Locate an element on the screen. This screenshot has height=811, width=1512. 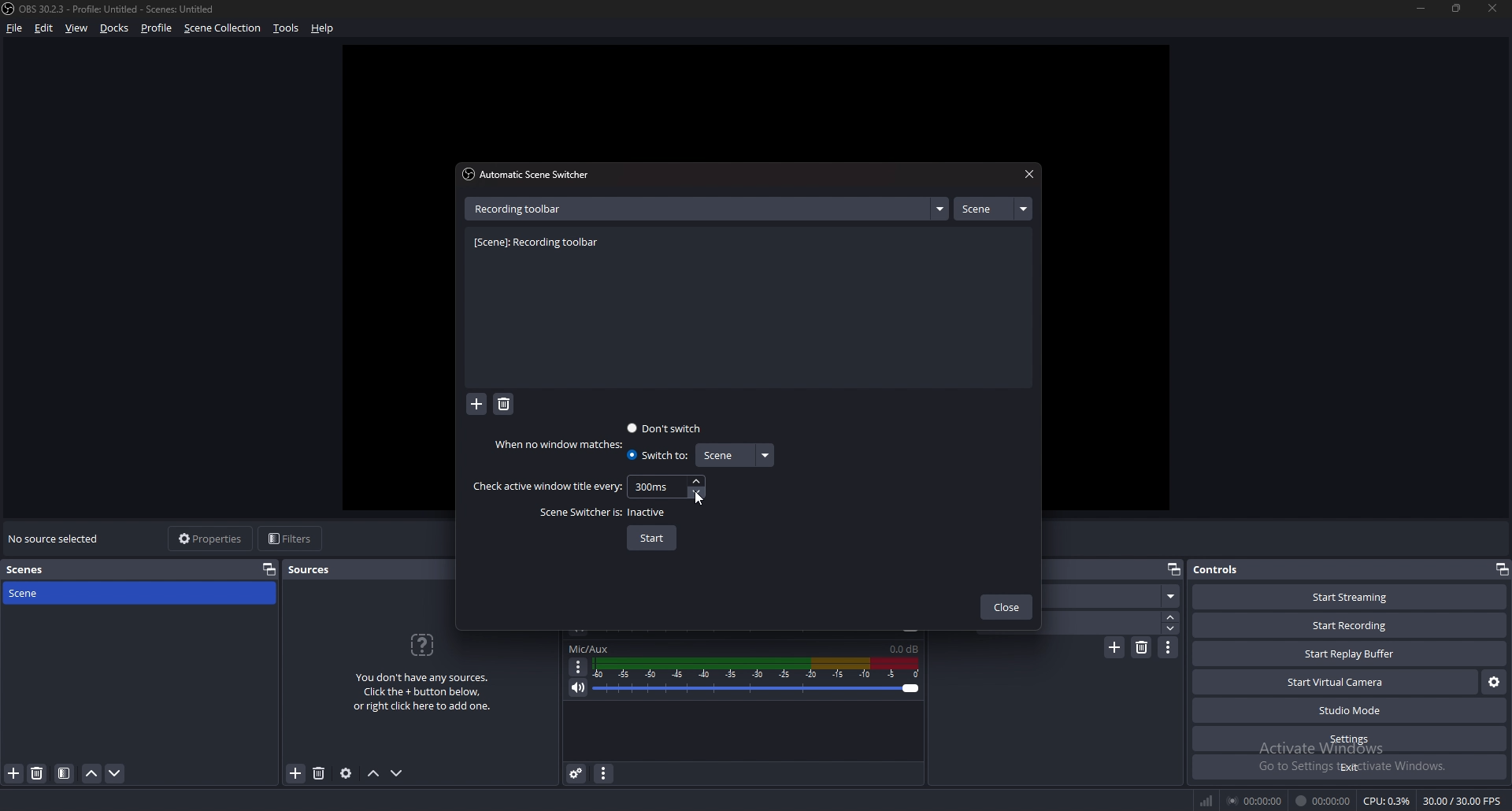
scene is located at coordinates (733, 455).